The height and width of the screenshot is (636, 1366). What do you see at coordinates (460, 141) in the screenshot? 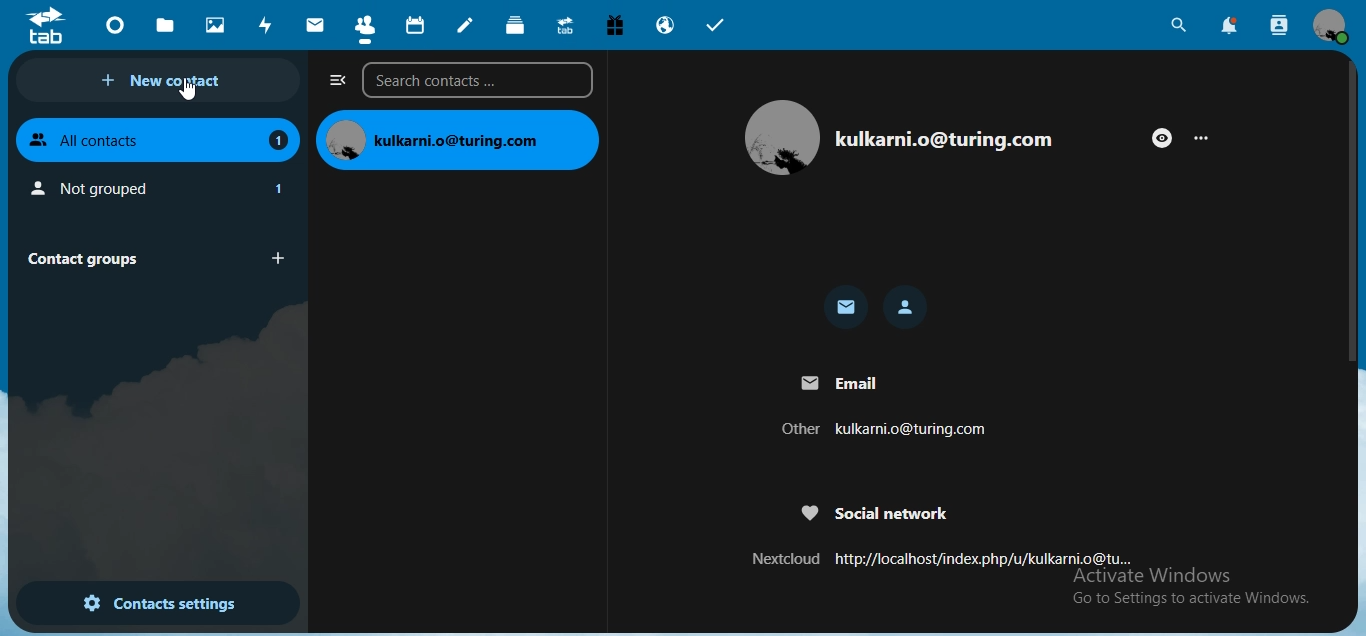
I see `text` at bounding box center [460, 141].